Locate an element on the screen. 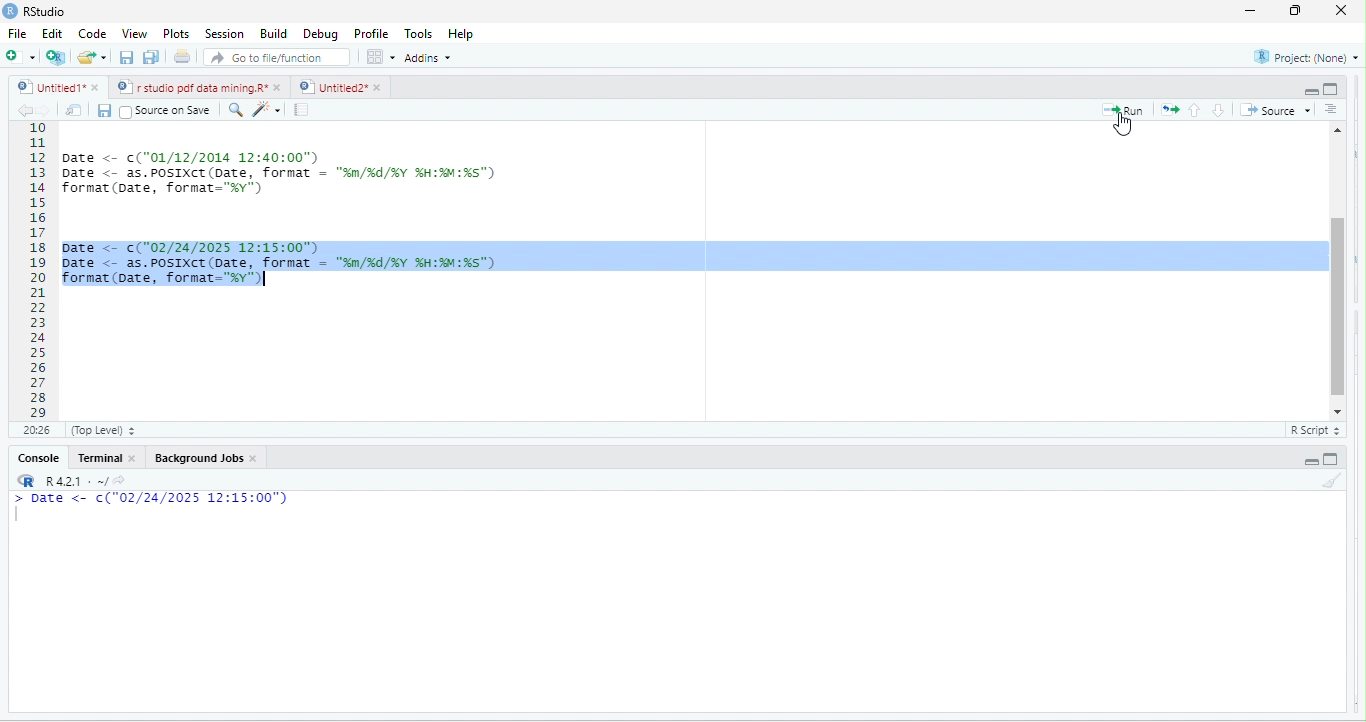   project: (None)  is located at coordinates (1303, 56).